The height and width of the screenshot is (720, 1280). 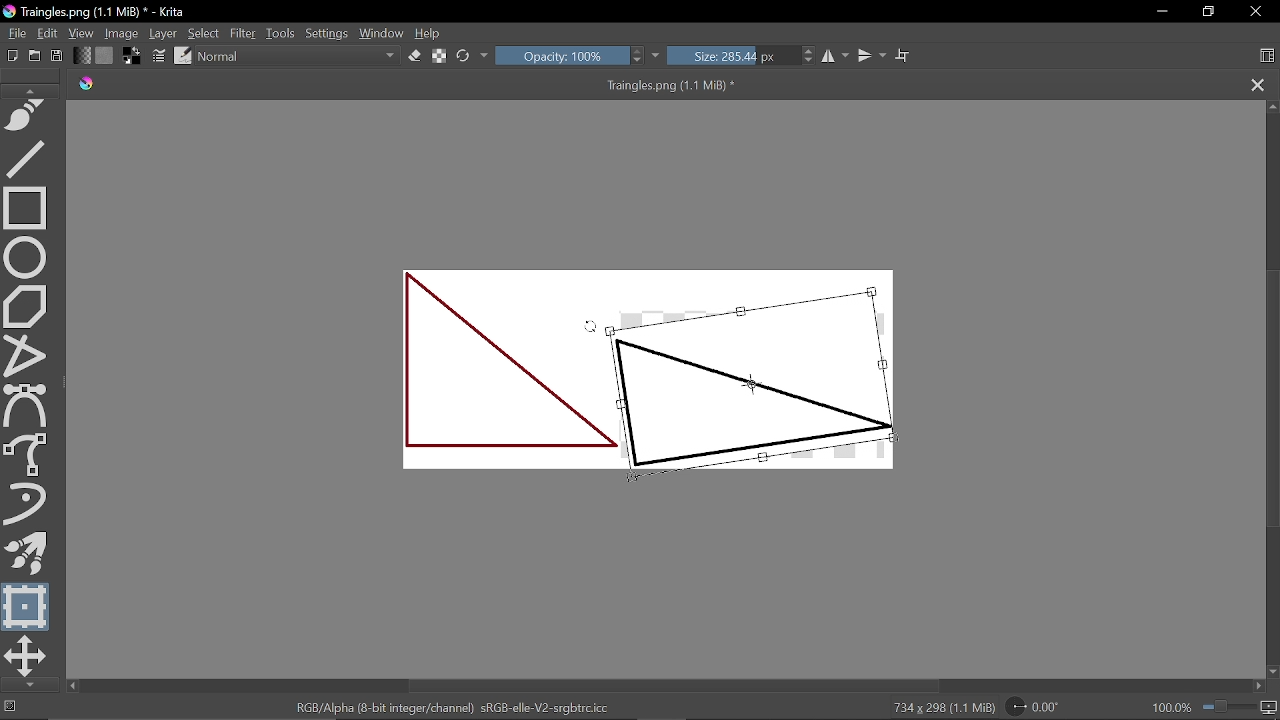 I want to click on reload original preset, so click(x=464, y=57).